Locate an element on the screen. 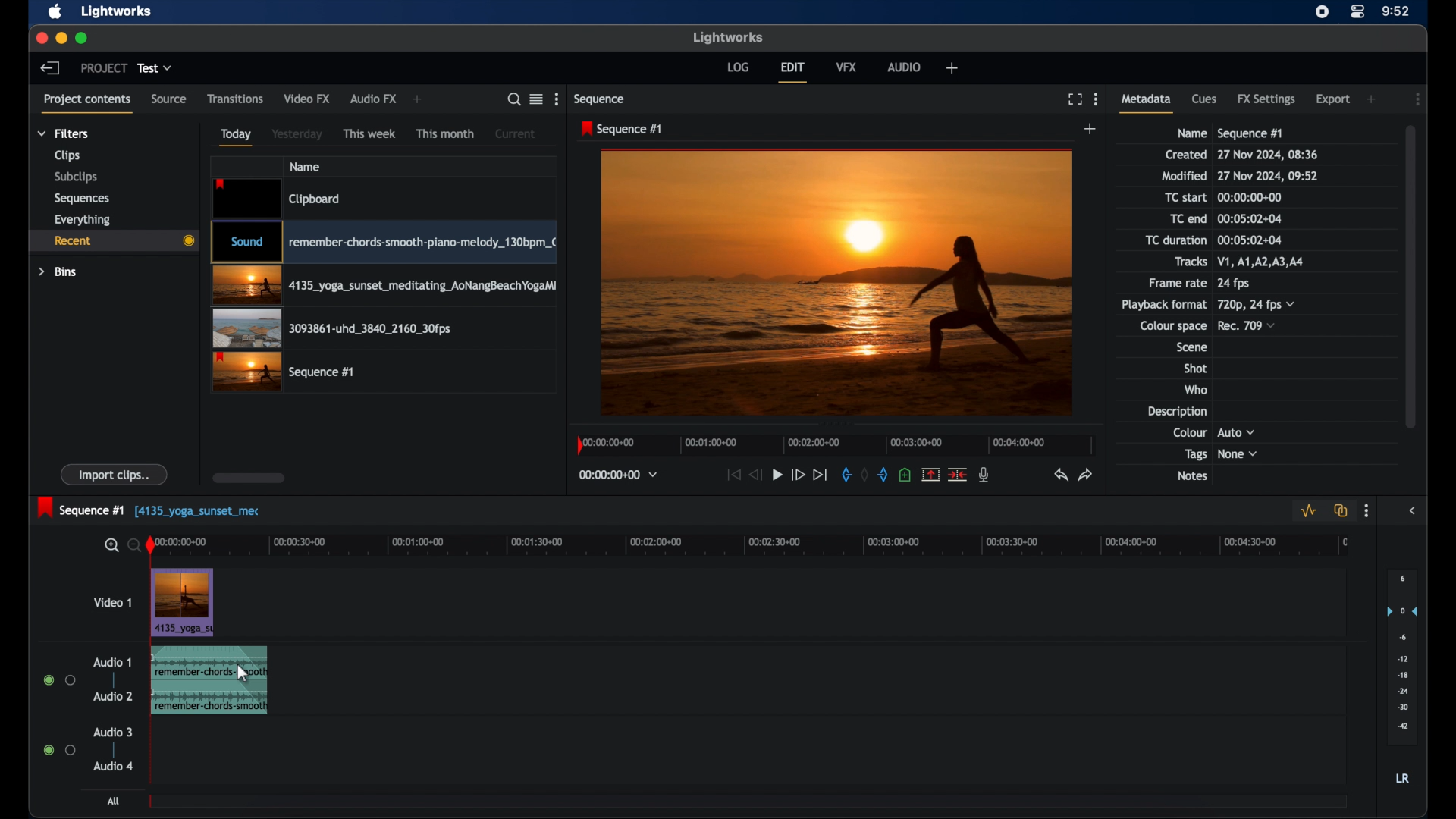 The image size is (1456, 819). cursor is located at coordinates (256, 676).